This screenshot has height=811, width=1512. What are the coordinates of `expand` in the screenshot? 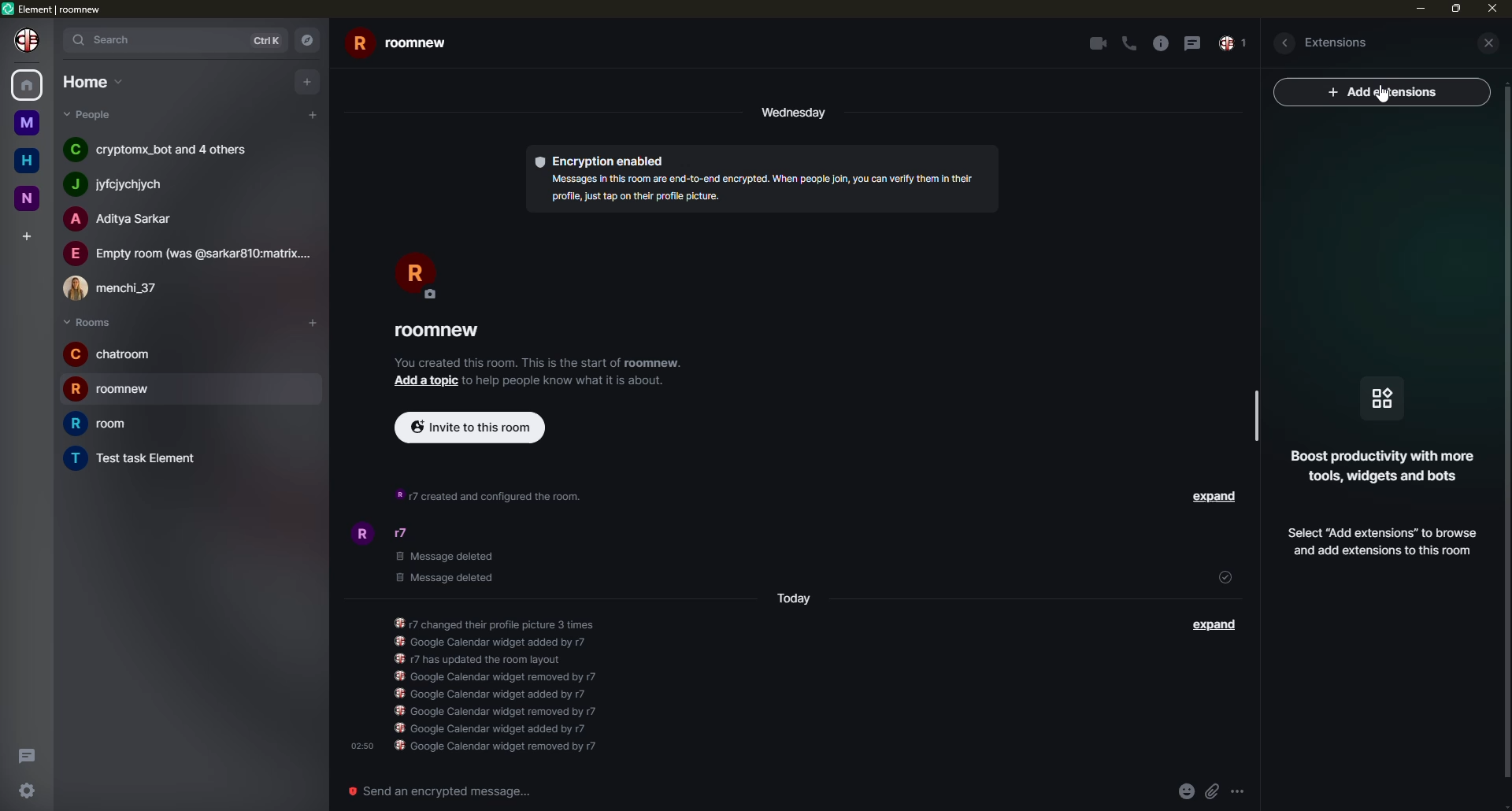 It's located at (1215, 497).